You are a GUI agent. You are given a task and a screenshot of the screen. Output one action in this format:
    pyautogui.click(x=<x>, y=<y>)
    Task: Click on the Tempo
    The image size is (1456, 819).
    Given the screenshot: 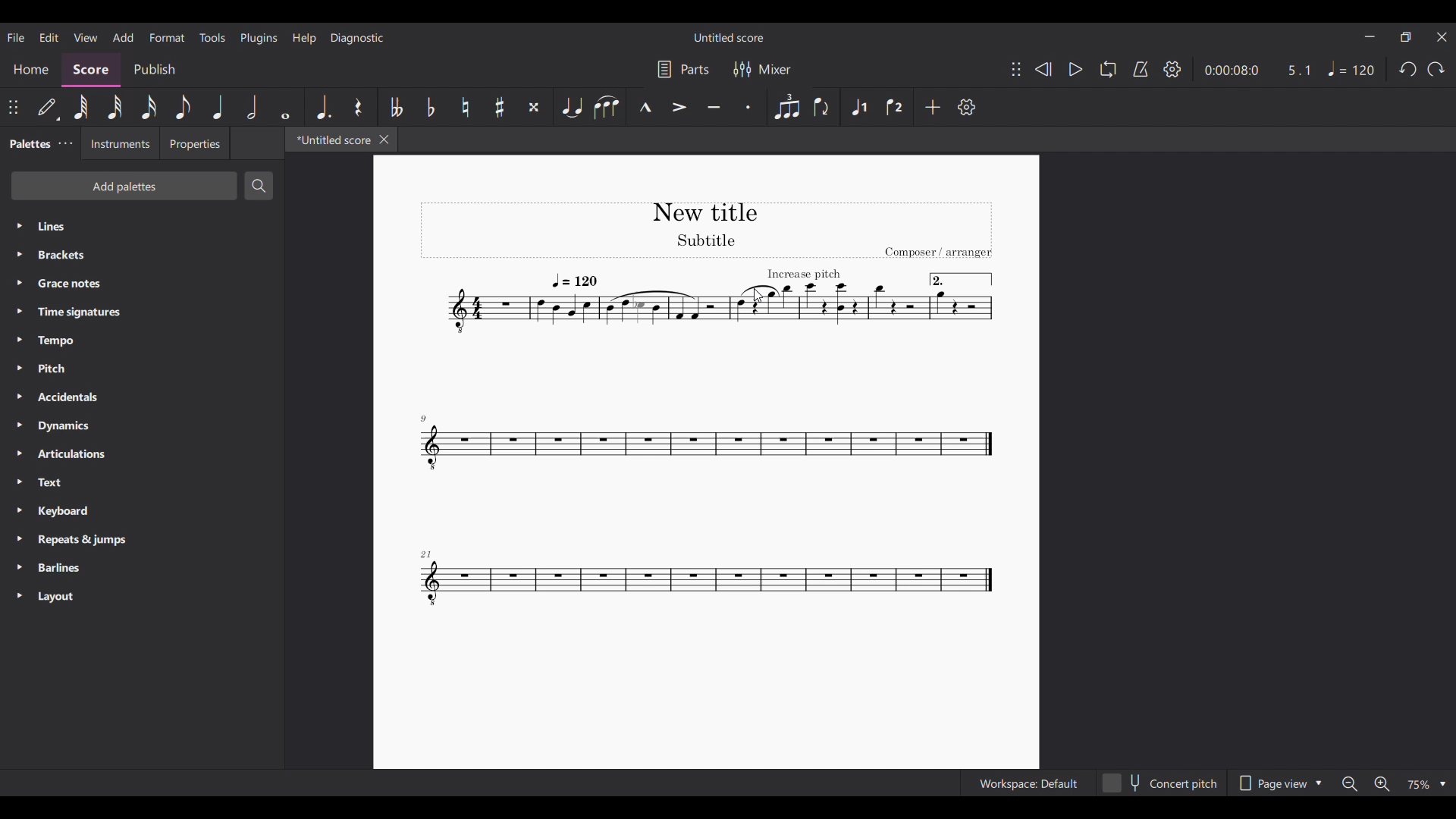 What is the action you would take?
    pyautogui.click(x=142, y=341)
    